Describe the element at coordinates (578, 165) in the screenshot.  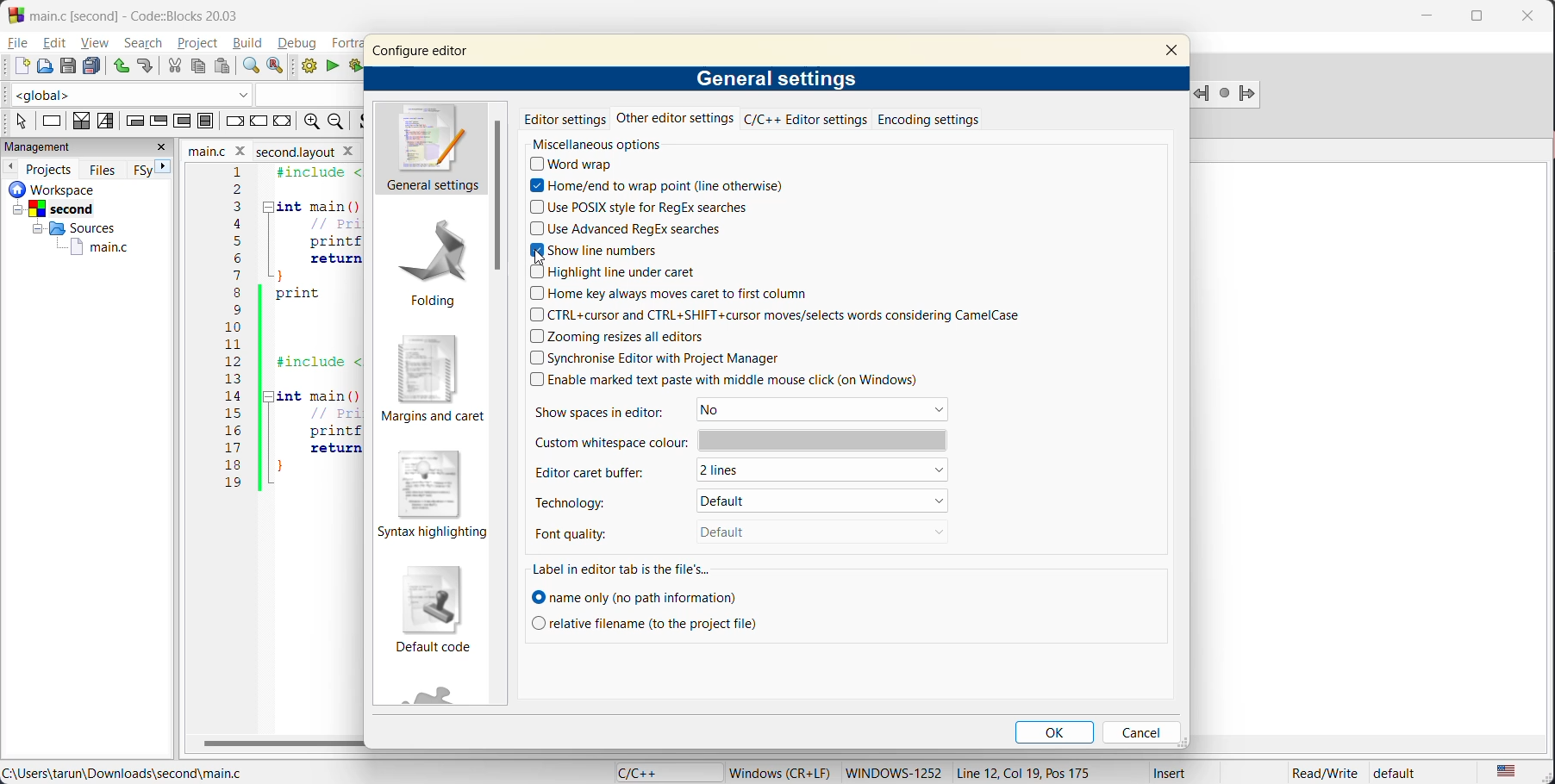
I see `word wrap` at that location.